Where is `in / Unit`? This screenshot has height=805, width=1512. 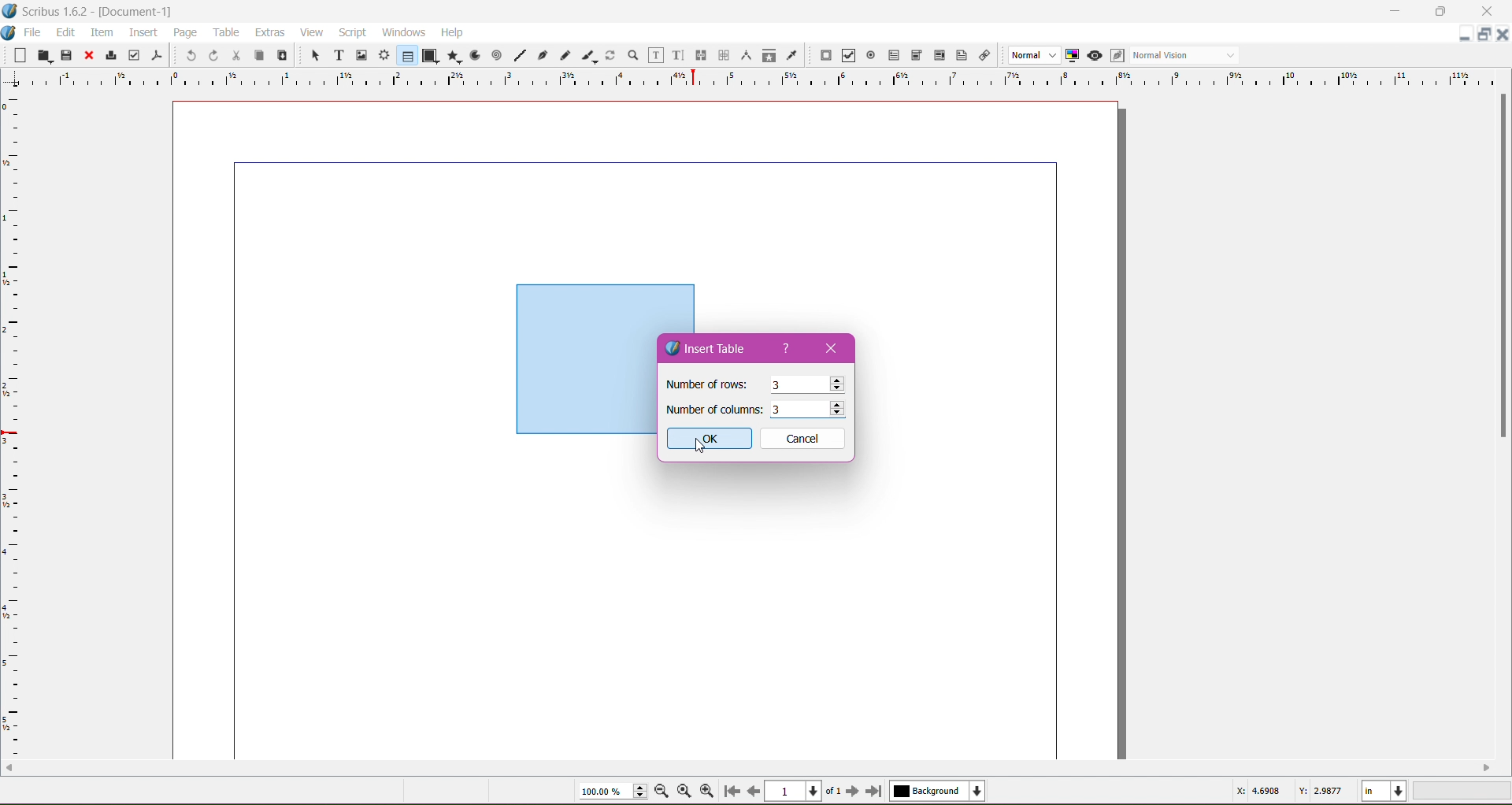 in / Unit is located at coordinates (1385, 788).